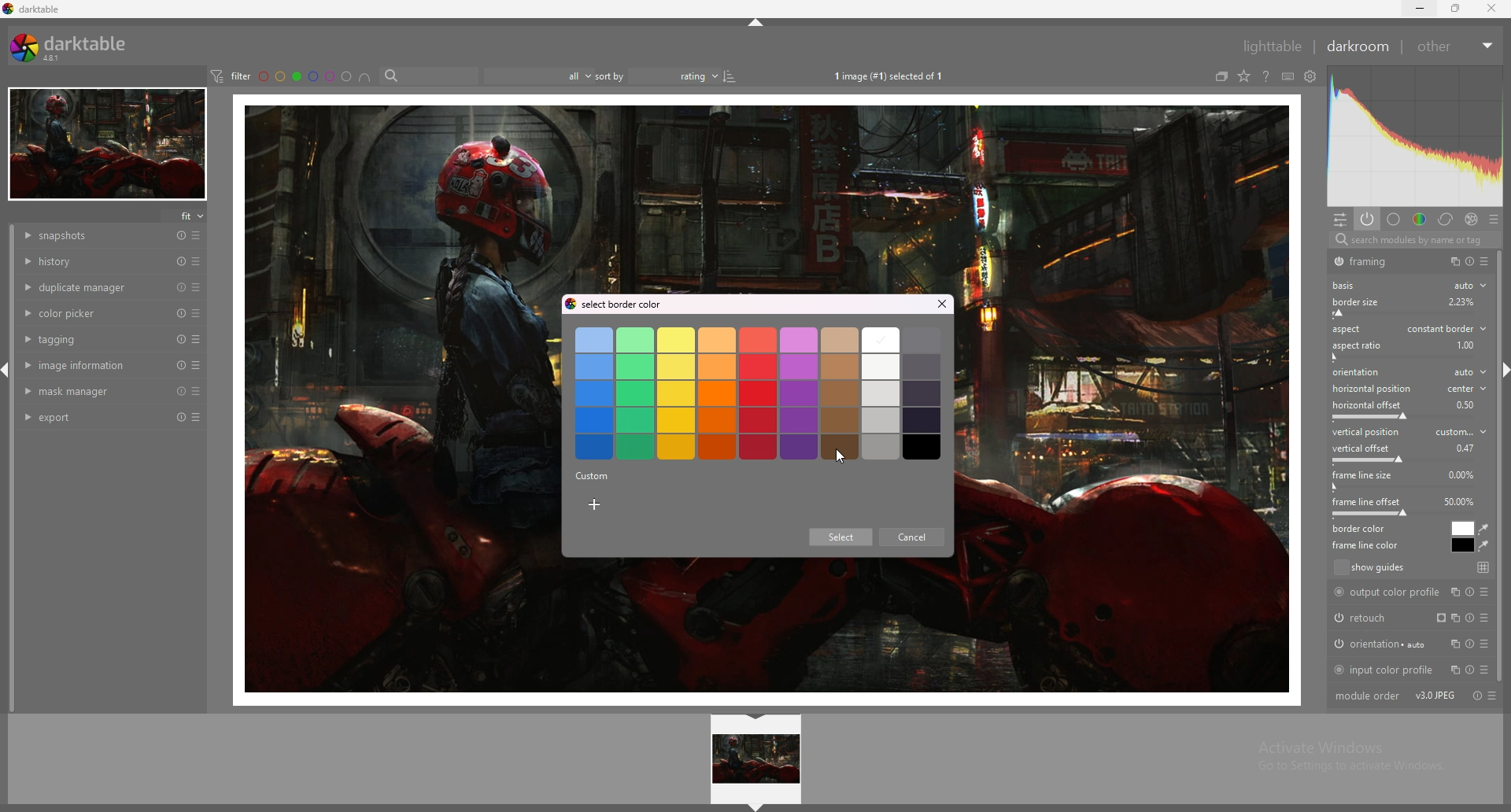 The width and height of the screenshot is (1511, 812). Describe the element at coordinates (1406, 460) in the screenshot. I see `vertical offset bar` at that location.